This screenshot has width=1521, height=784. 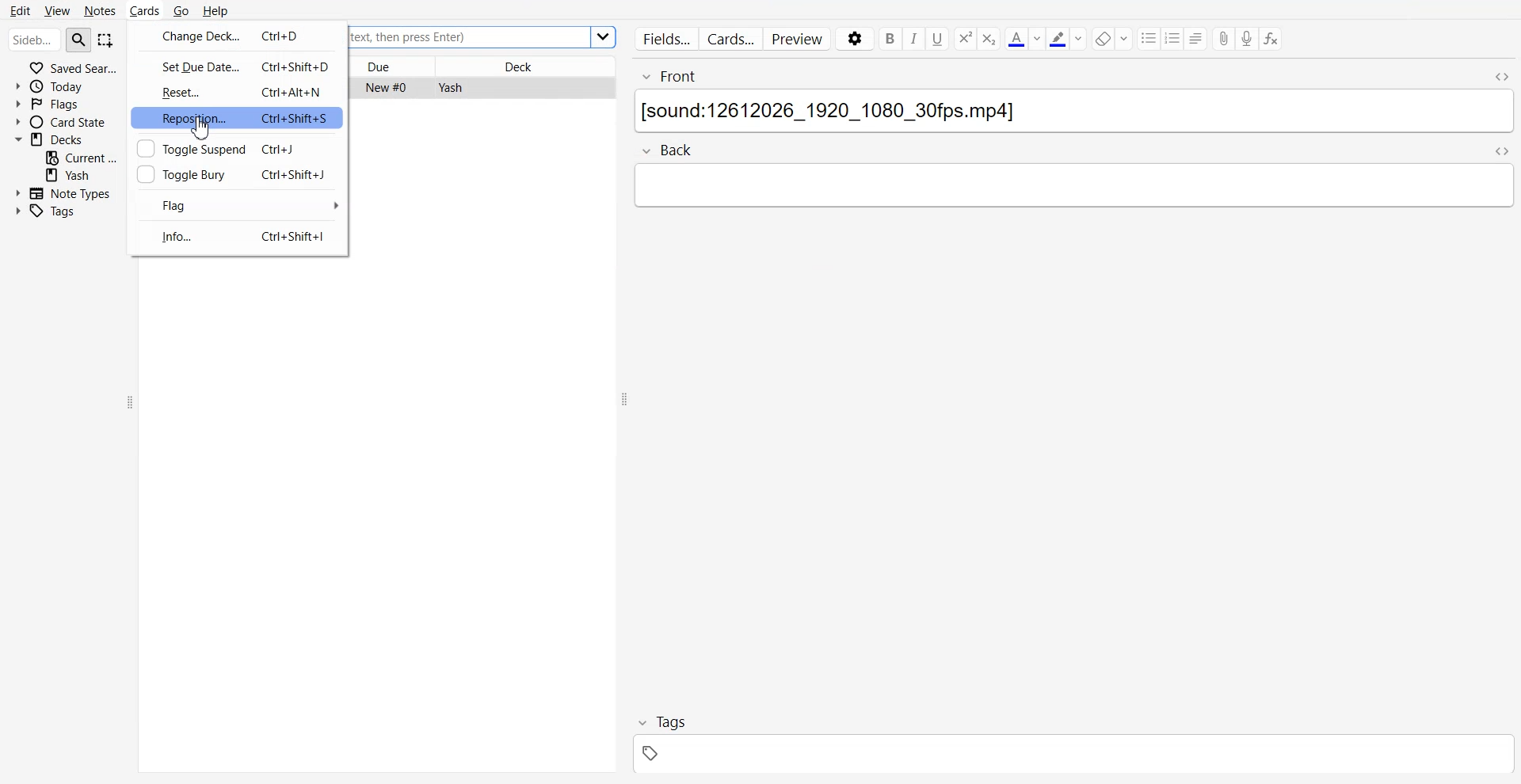 I want to click on Erase Text, so click(x=1112, y=38).